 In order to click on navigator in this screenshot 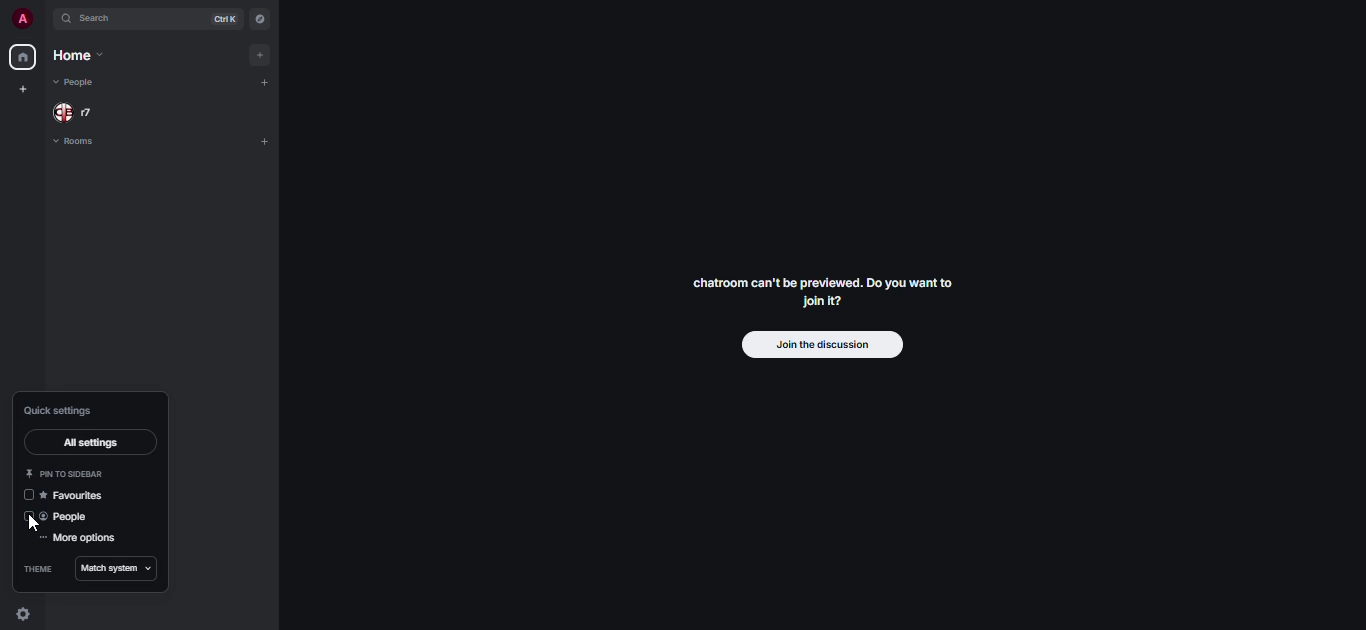, I will do `click(260, 19)`.